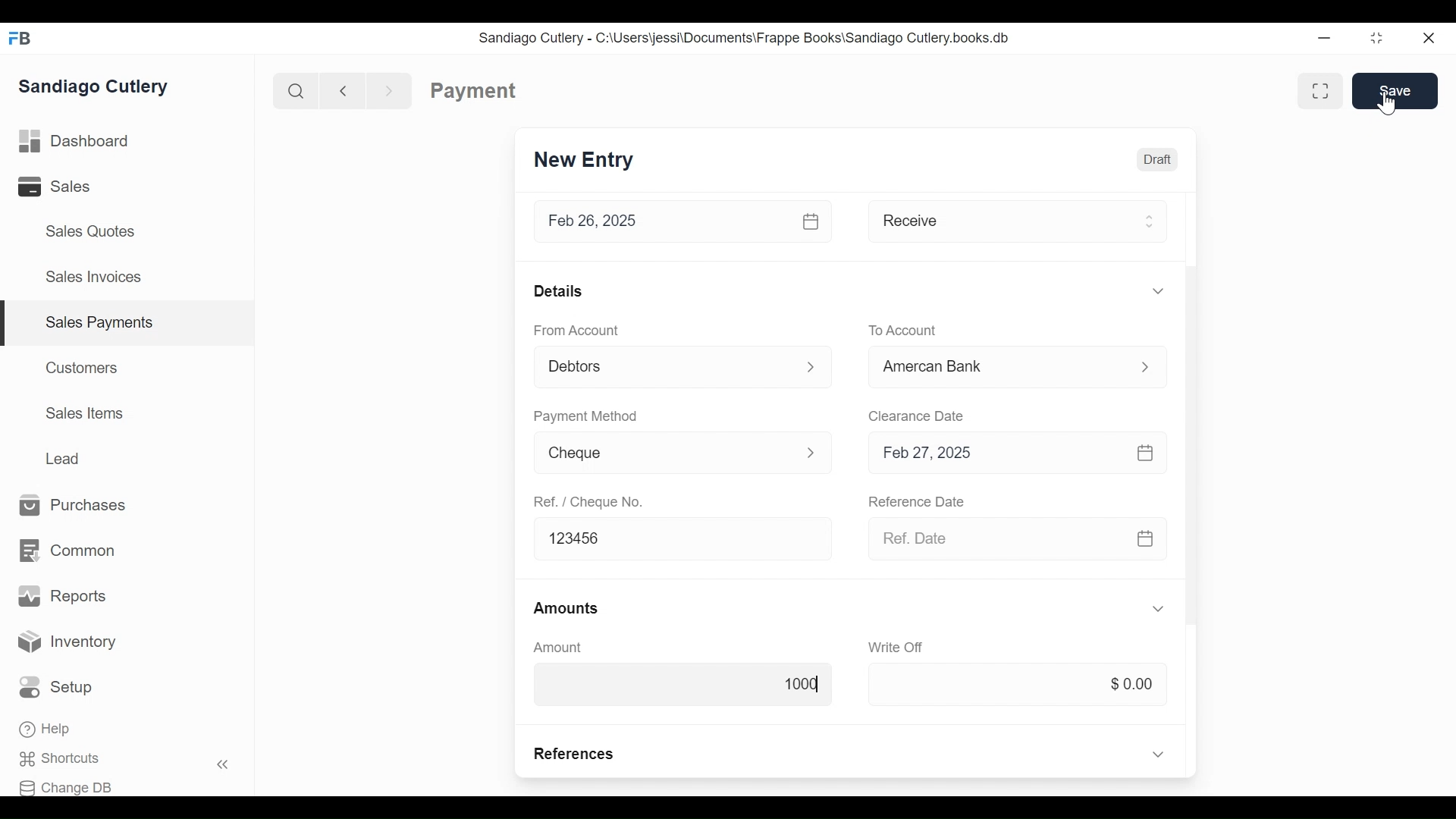 Image resolution: width=1456 pixels, height=819 pixels. I want to click on Expand, so click(1148, 221).